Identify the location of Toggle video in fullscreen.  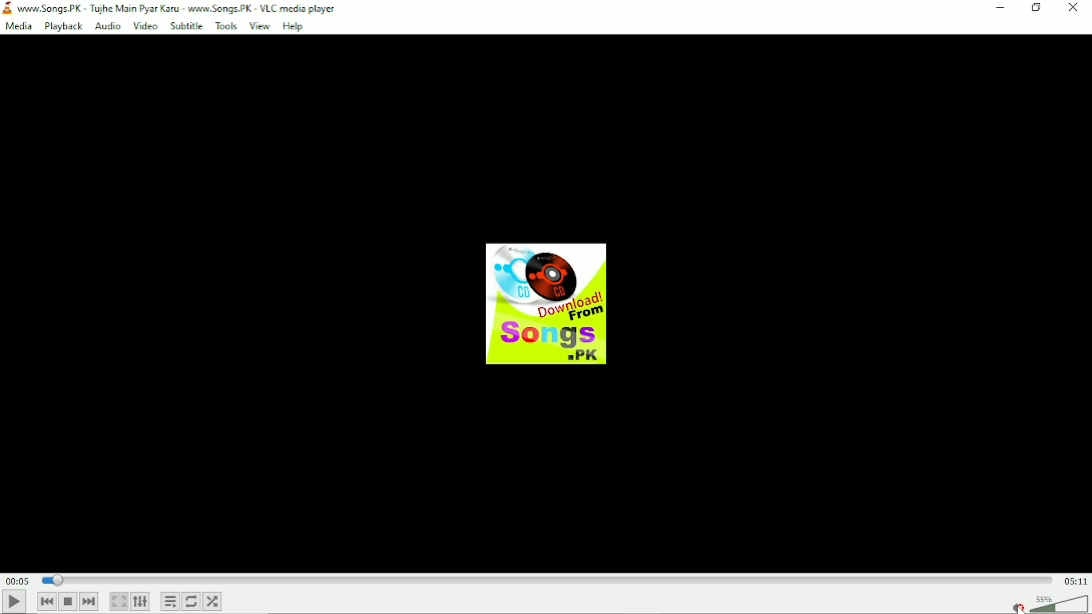
(119, 601).